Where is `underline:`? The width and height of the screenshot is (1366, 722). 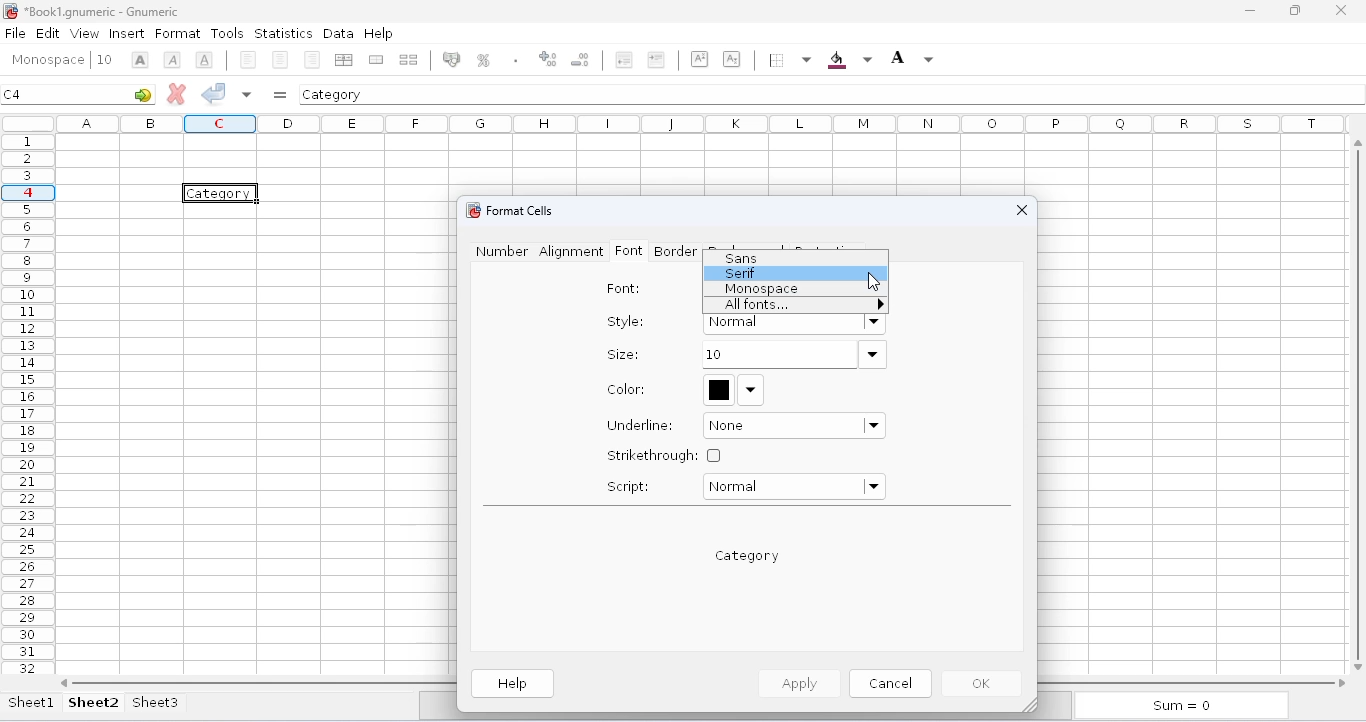 underline: is located at coordinates (641, 425).